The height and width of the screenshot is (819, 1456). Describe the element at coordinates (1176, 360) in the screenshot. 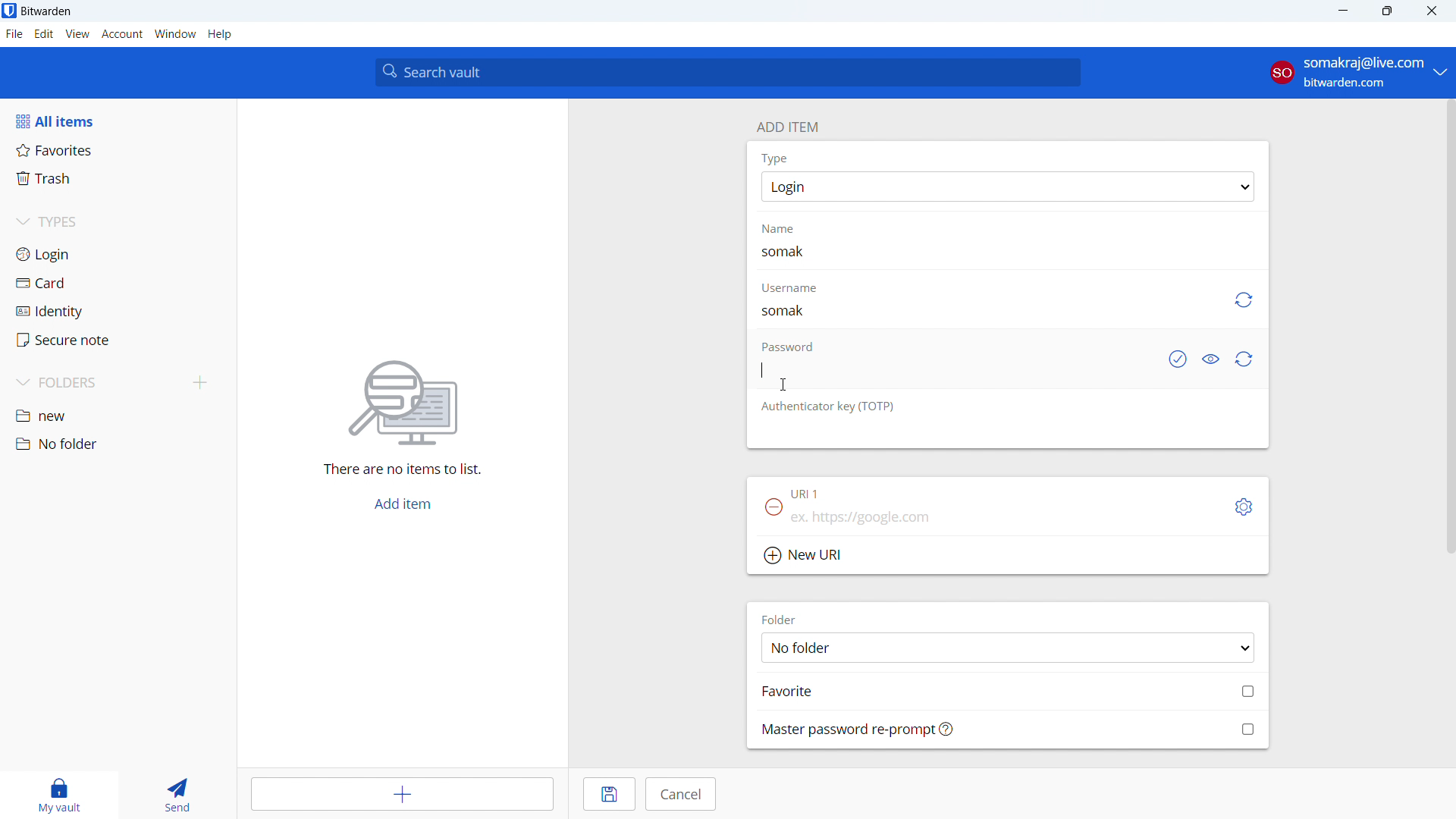

I see `check if password has been exposed` at that location.